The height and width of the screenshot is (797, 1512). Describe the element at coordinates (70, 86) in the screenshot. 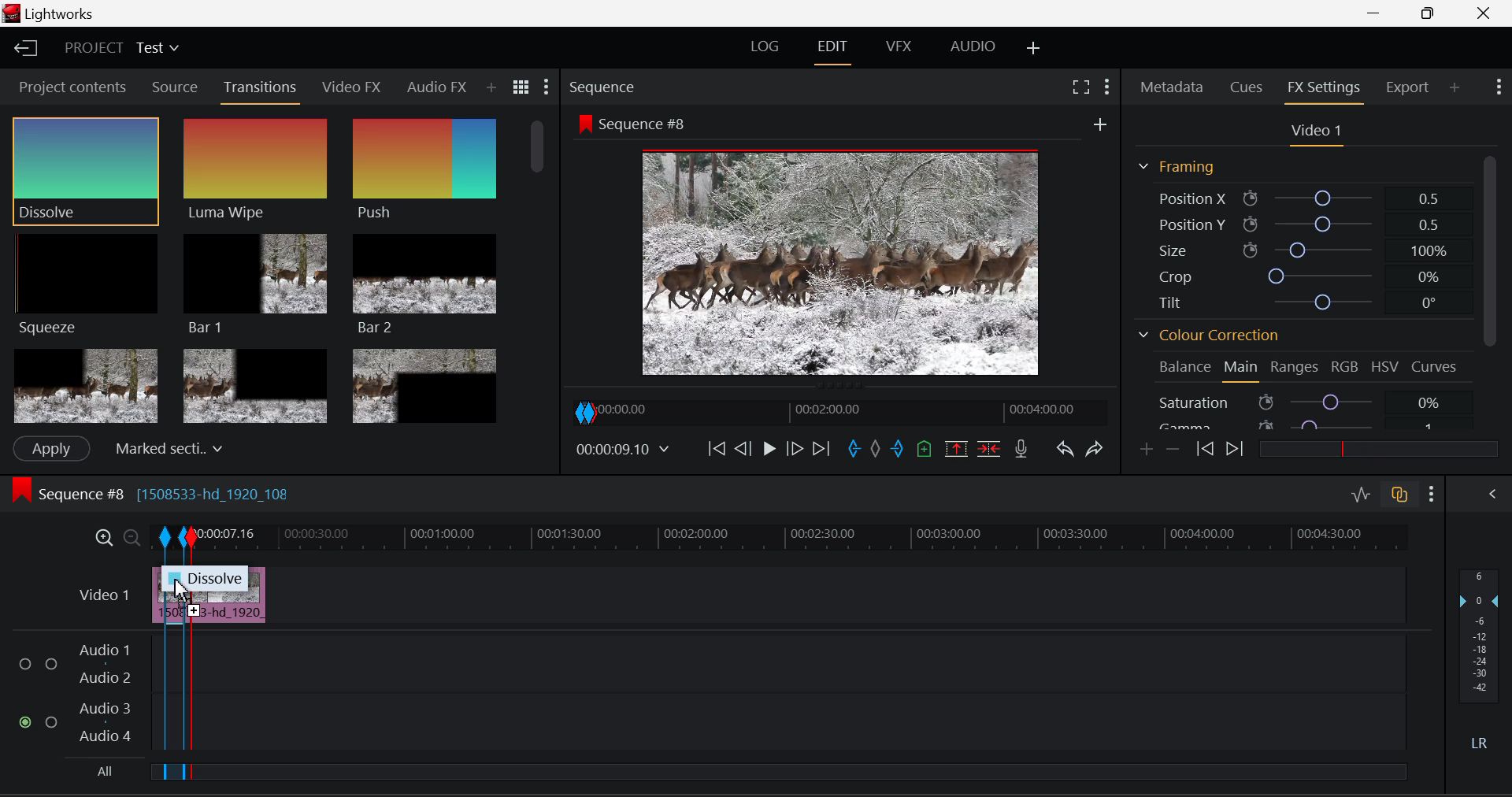

I see `Project contents` at that location.